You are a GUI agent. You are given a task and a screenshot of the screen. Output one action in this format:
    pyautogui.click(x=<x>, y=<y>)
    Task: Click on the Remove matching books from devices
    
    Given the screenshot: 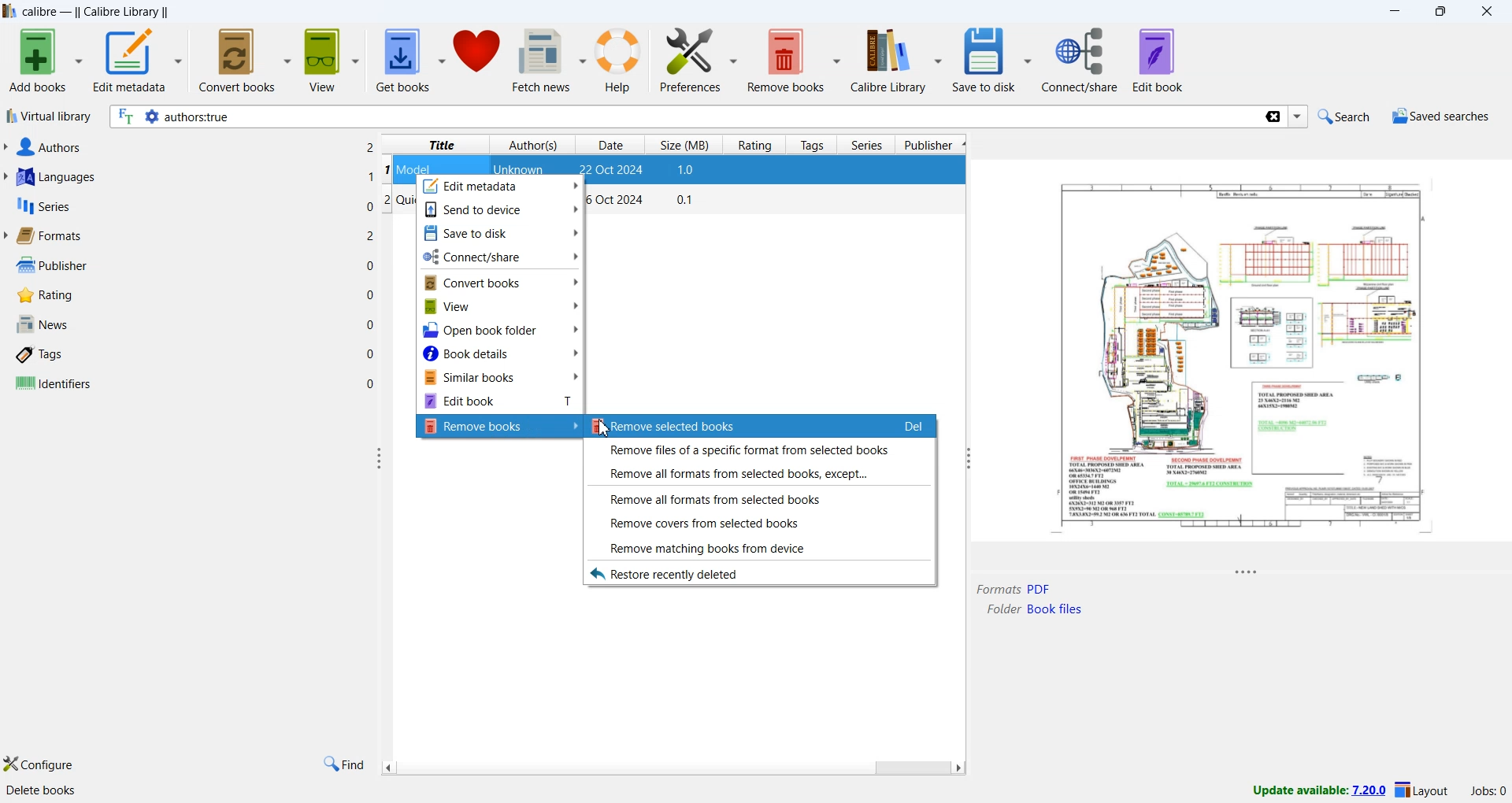 What is the action you would take?
    pyautogui.click(x=758, y=547)
    